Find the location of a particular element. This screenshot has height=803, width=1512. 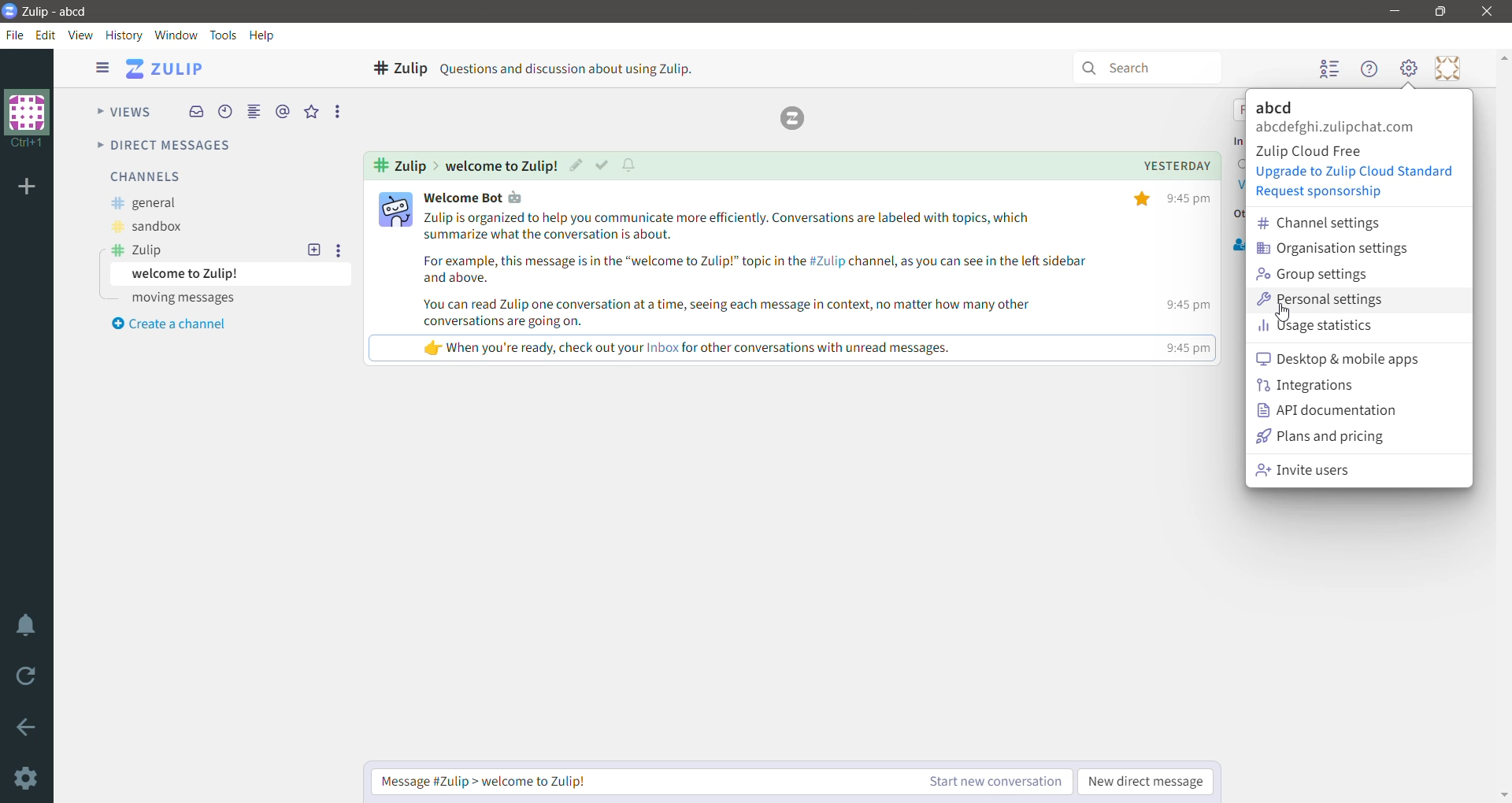

Upgrade to Zulip Cloud Standard is located at coordinates (1357, 172).